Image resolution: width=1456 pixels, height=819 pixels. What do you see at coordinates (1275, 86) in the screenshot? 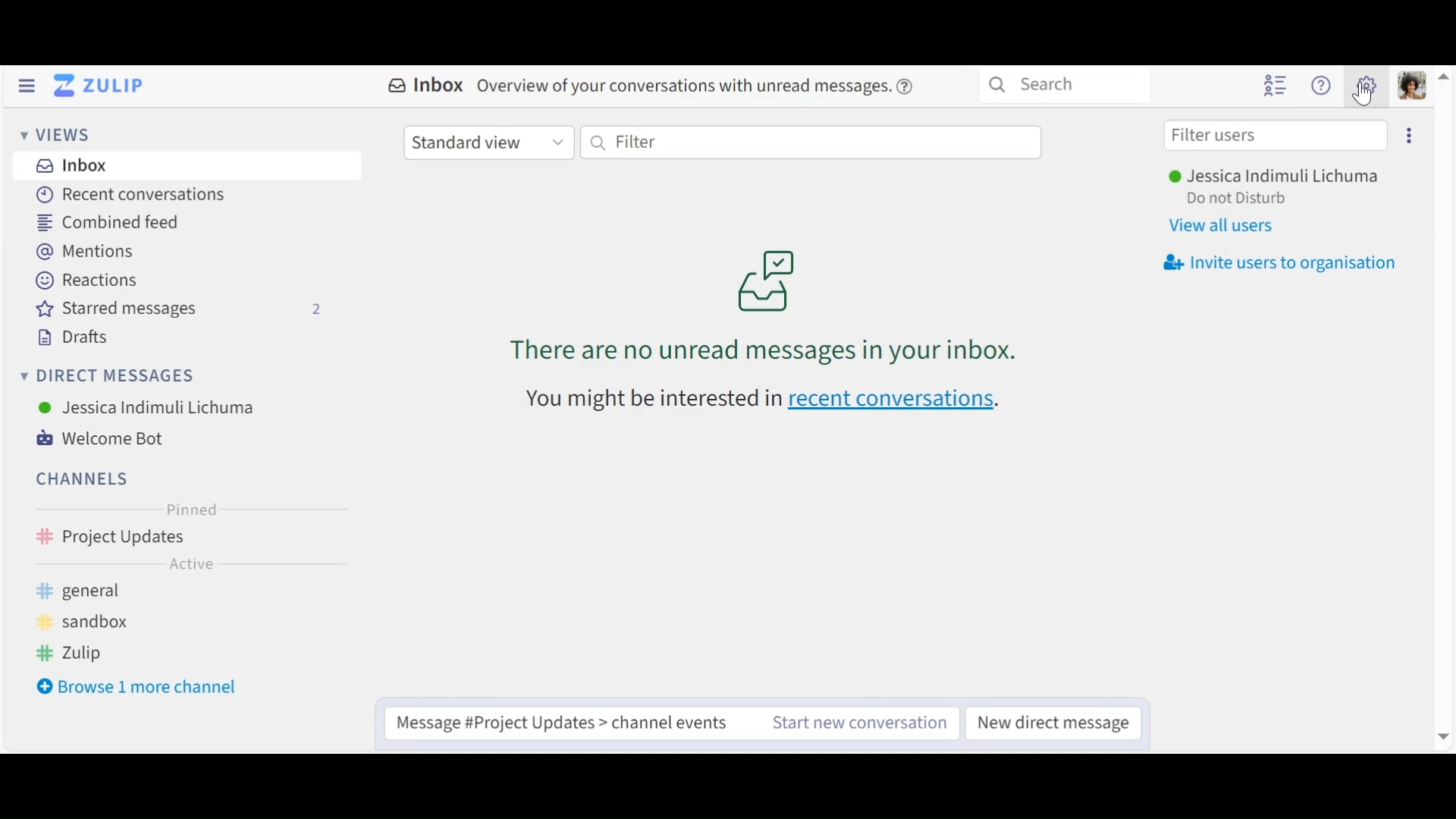
I see `Hide user list` at bounding box center [1275, 86].